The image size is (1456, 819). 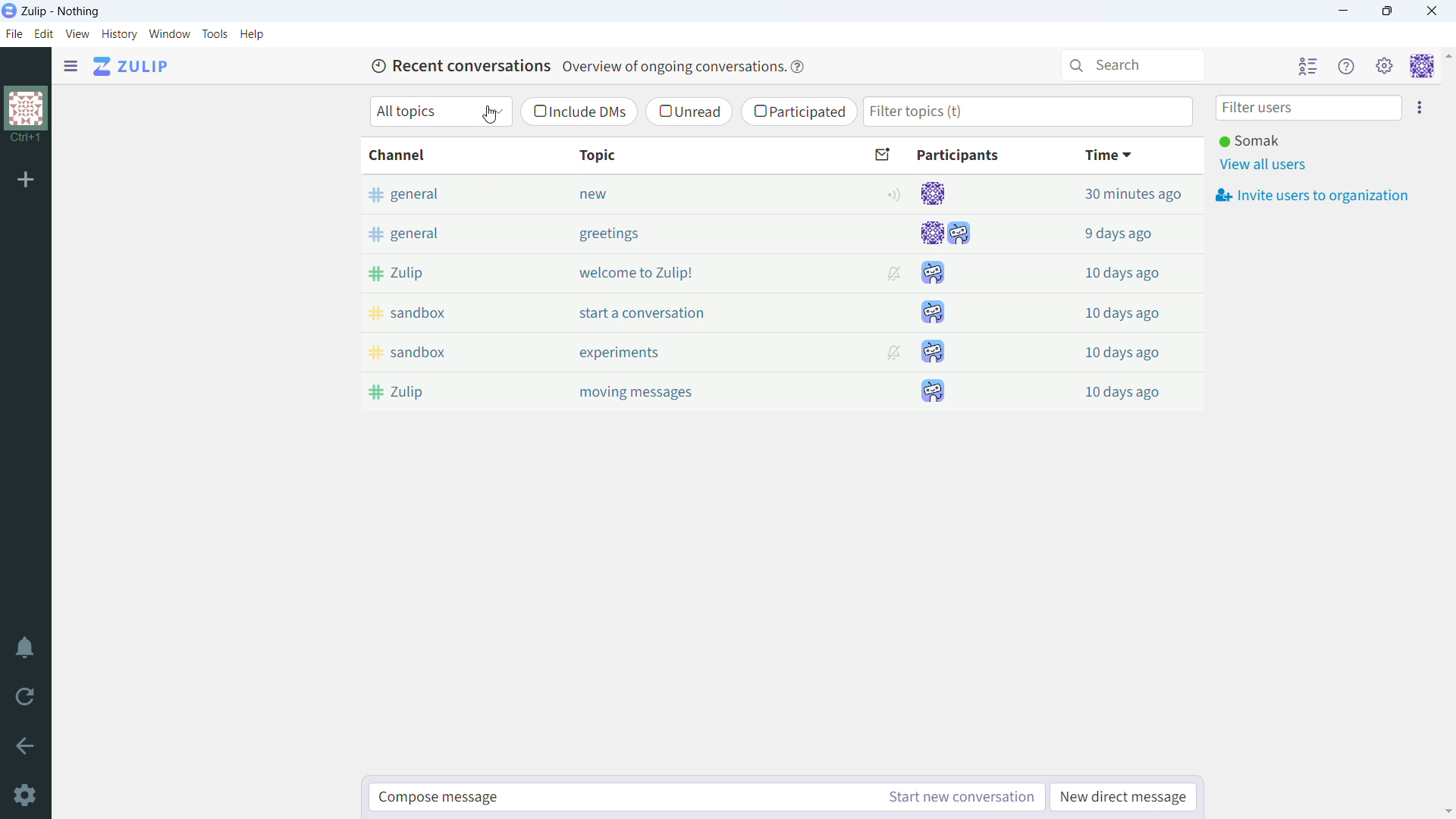 What do you see at coordinates (216, 33) in the screenshot?
I see `tools` at bounding box center [216, 33].